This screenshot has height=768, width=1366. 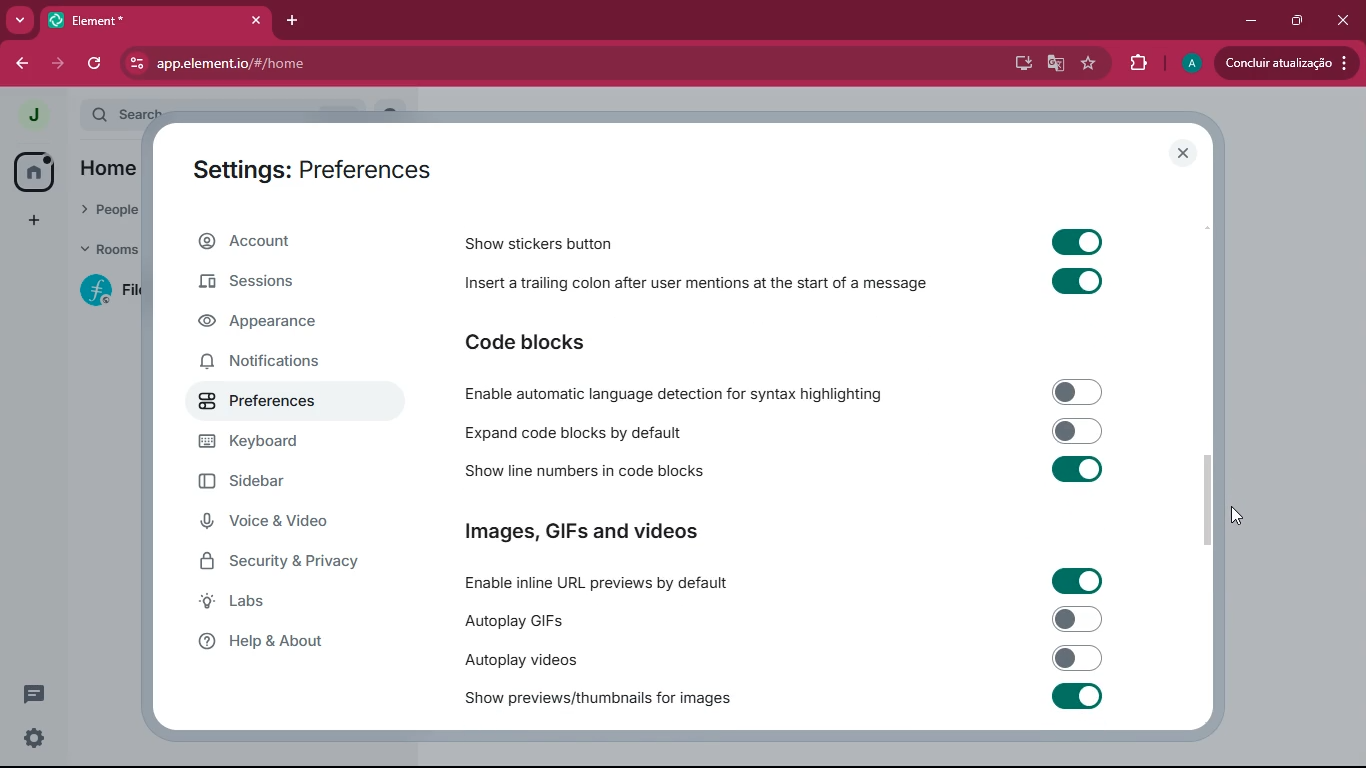 What do you see at coordinates (1079, 470) in the screenshot?
I see `` at bounding box center [1079, 470].